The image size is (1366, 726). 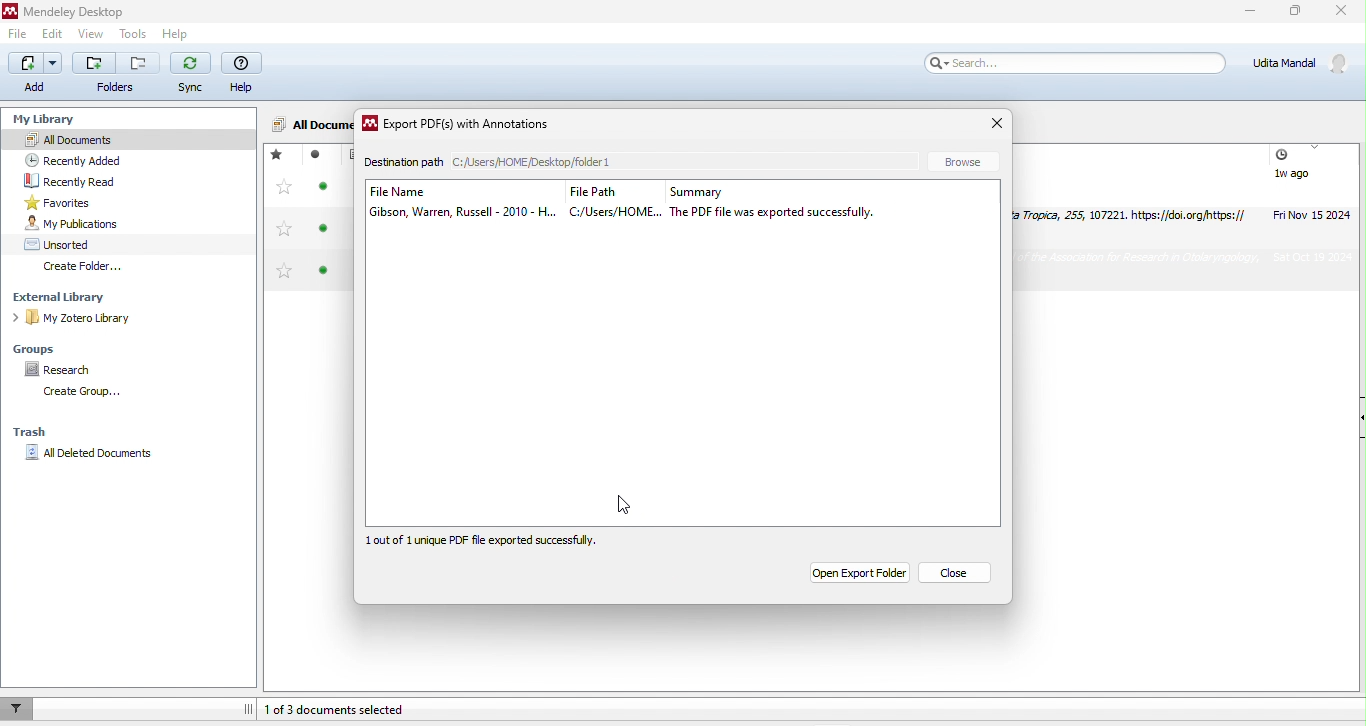 I want to click on 1w ago Fri Nov 15 2024, so click(x=1311, y=183).